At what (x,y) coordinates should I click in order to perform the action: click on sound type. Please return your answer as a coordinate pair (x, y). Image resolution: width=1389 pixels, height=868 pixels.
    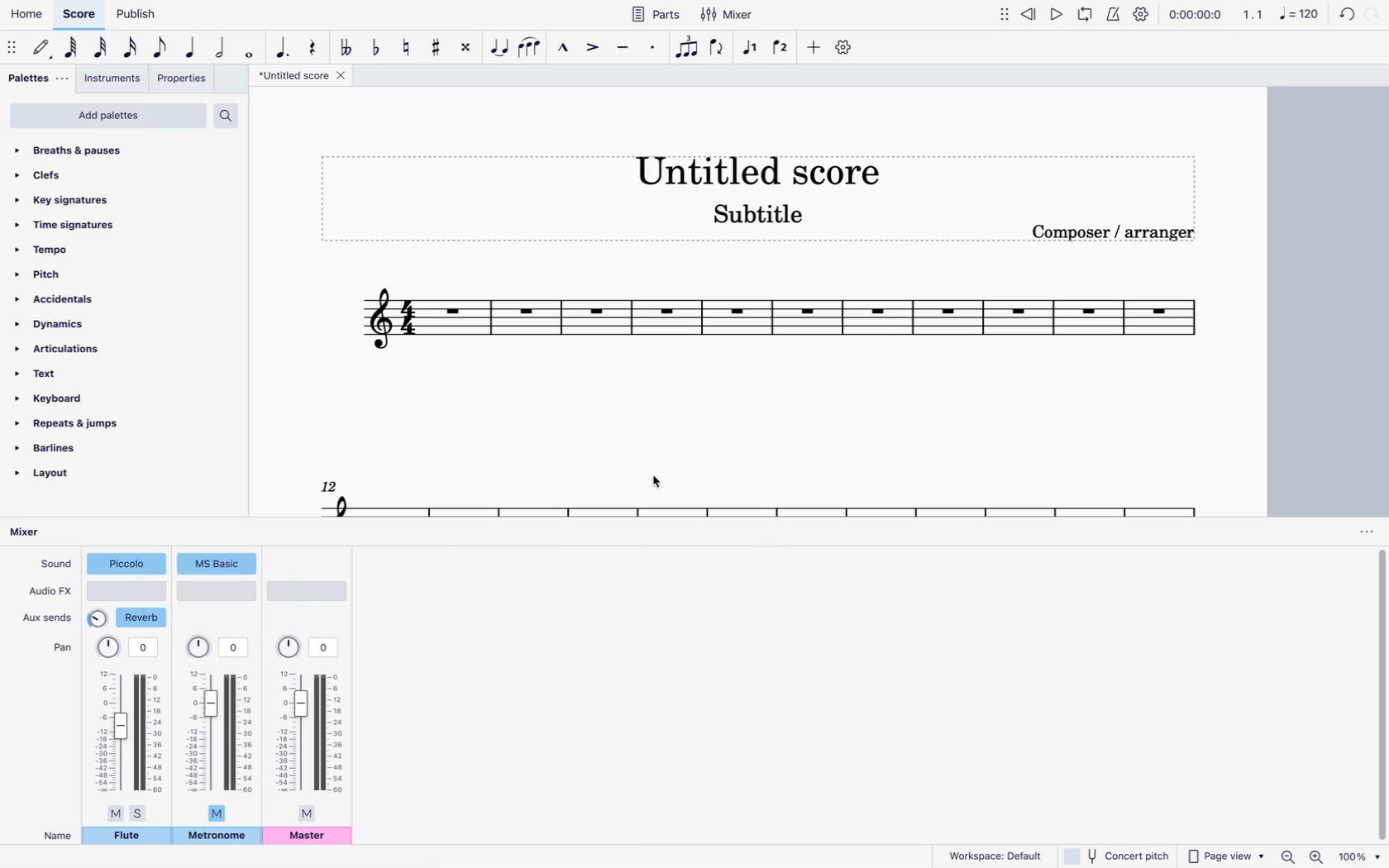
    Looking at the image, I should click on (217, 562).